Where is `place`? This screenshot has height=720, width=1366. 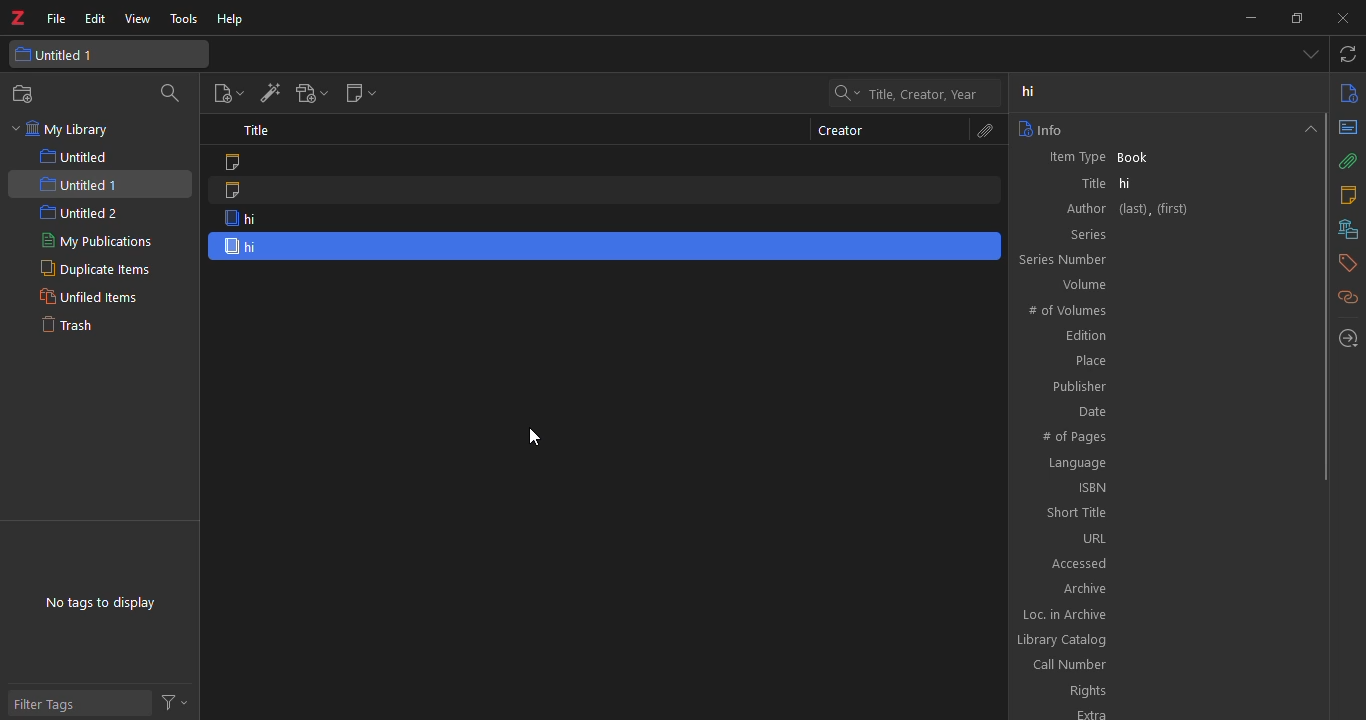 place is located at coordinates (1089, 359).